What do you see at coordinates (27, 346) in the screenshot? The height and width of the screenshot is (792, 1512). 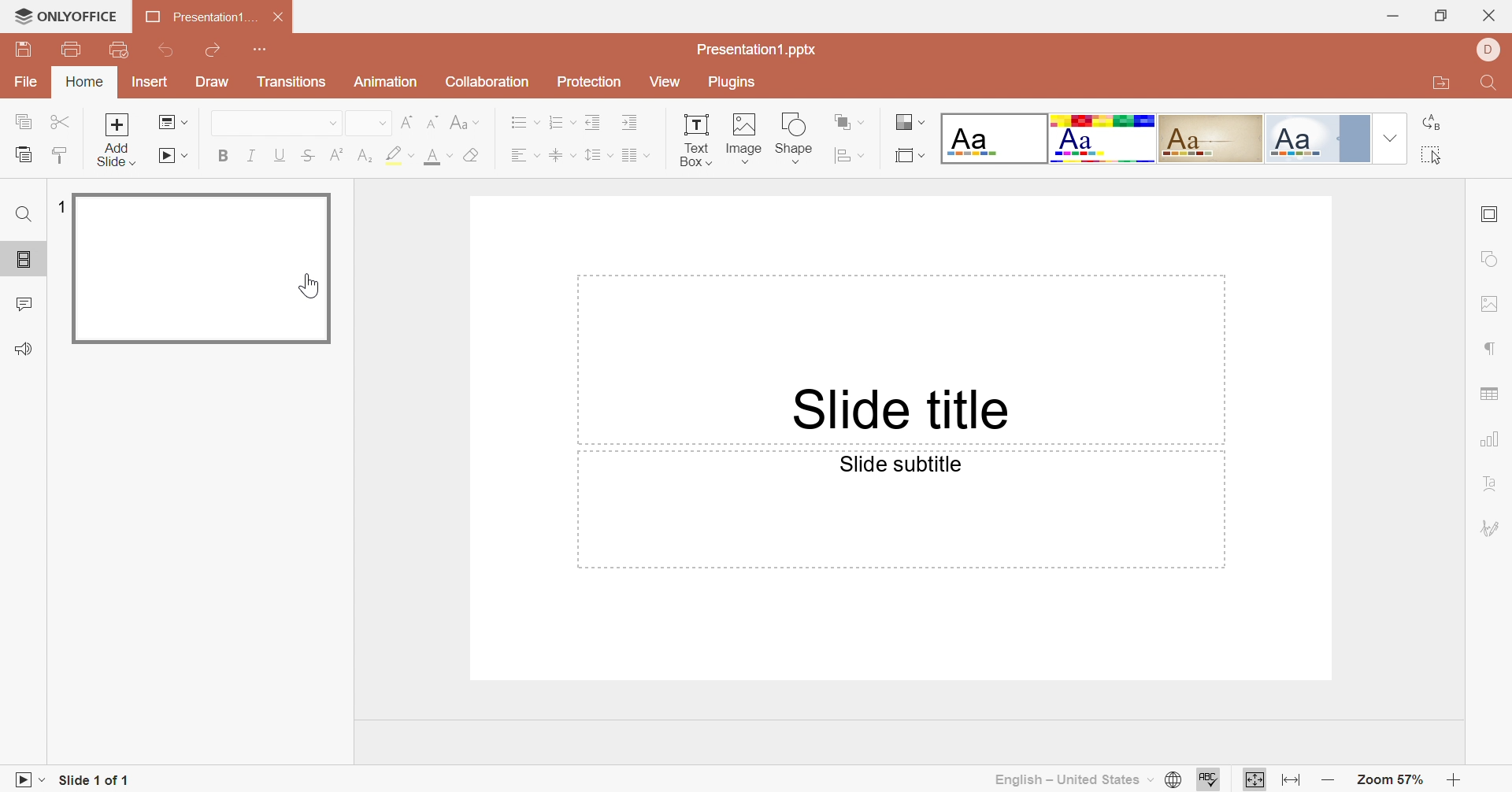 I see `Feedback & Support` at bounding box center [27, 346].